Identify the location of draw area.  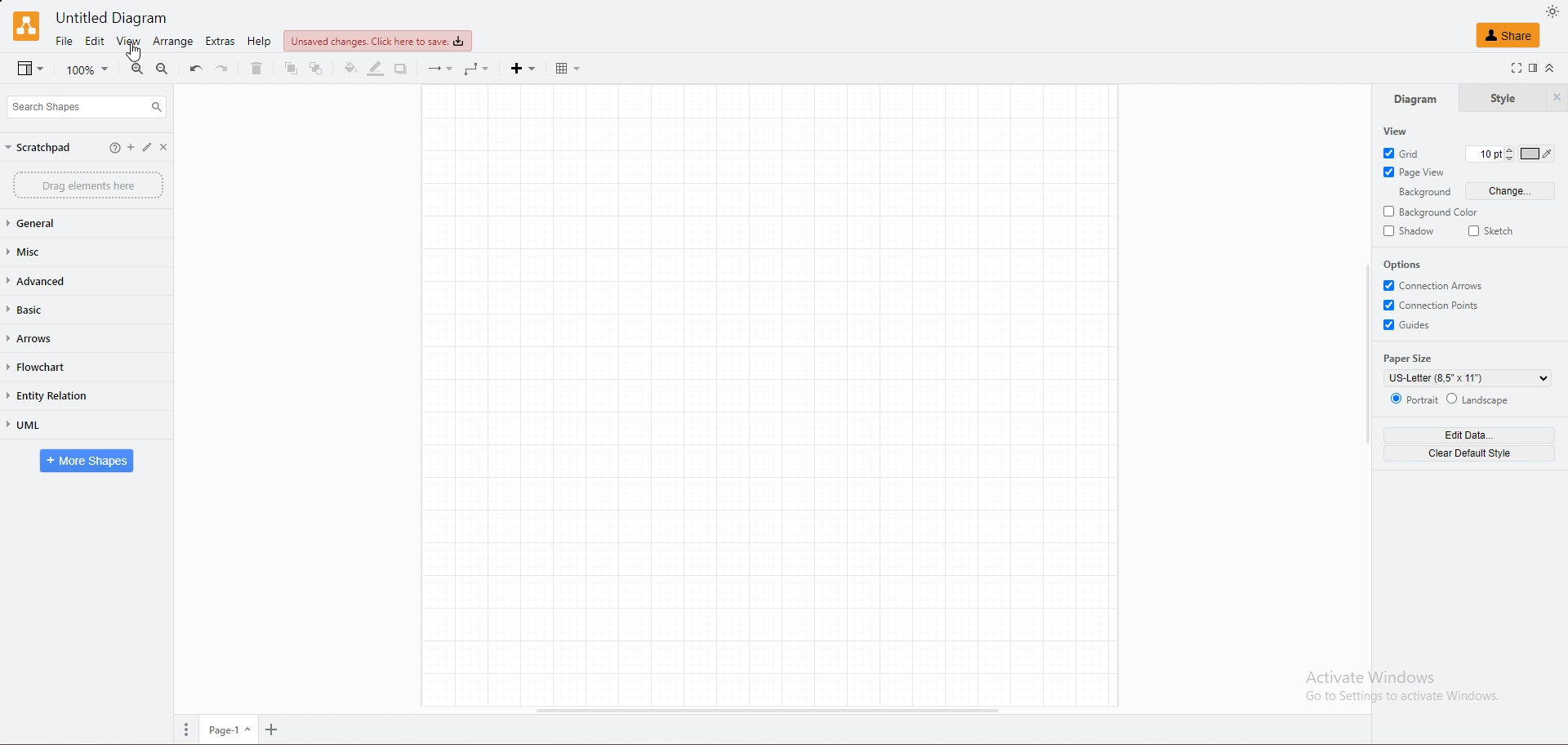
(769, 395).